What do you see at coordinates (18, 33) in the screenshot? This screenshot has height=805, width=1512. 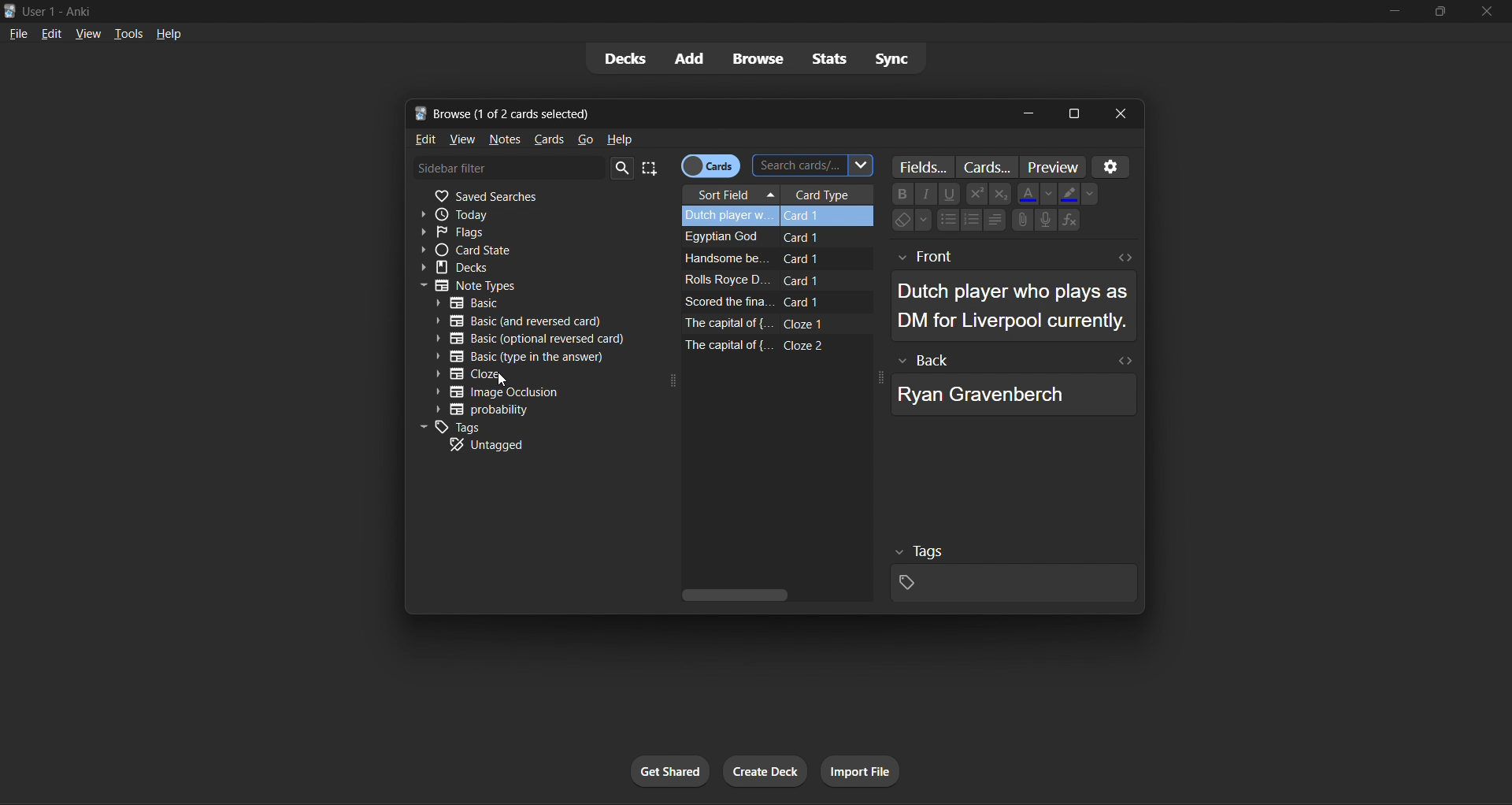 I see `file` at bounding box center [18, 33].